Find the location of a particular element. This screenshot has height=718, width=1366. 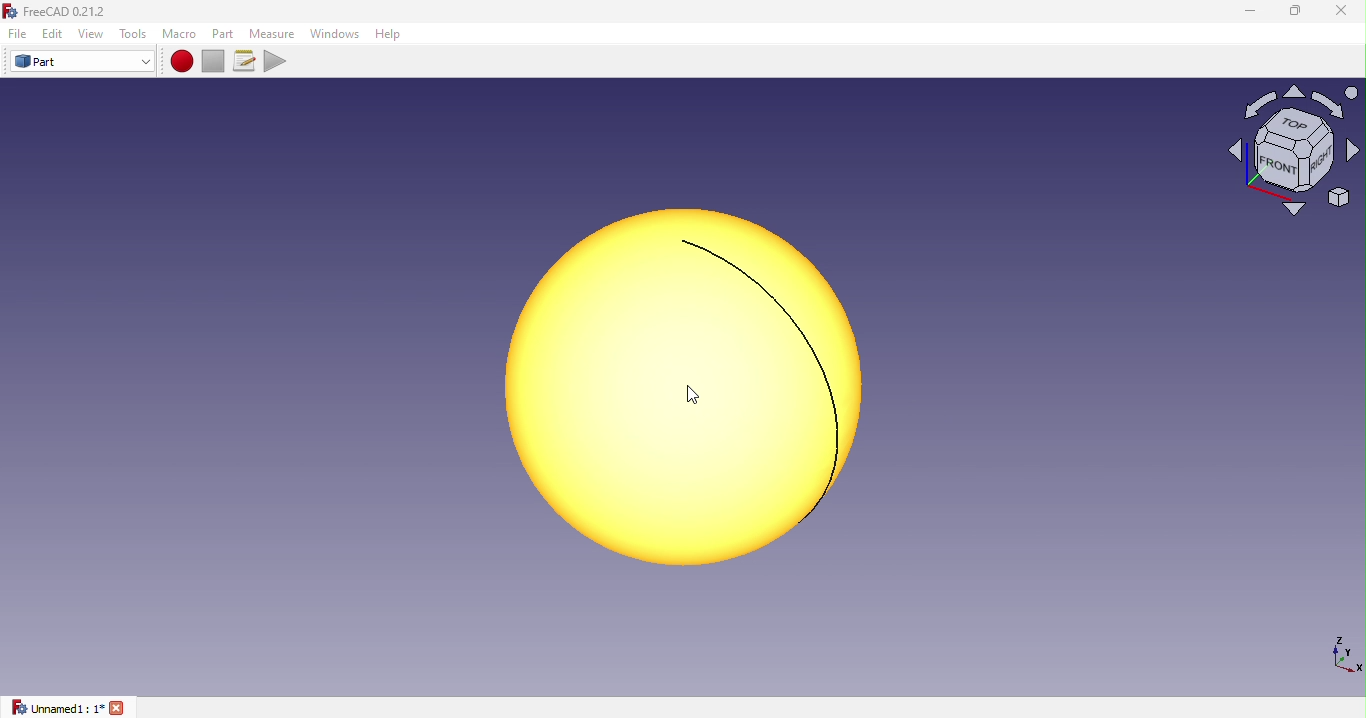

Macro recording is located at coordinates (183, 61).